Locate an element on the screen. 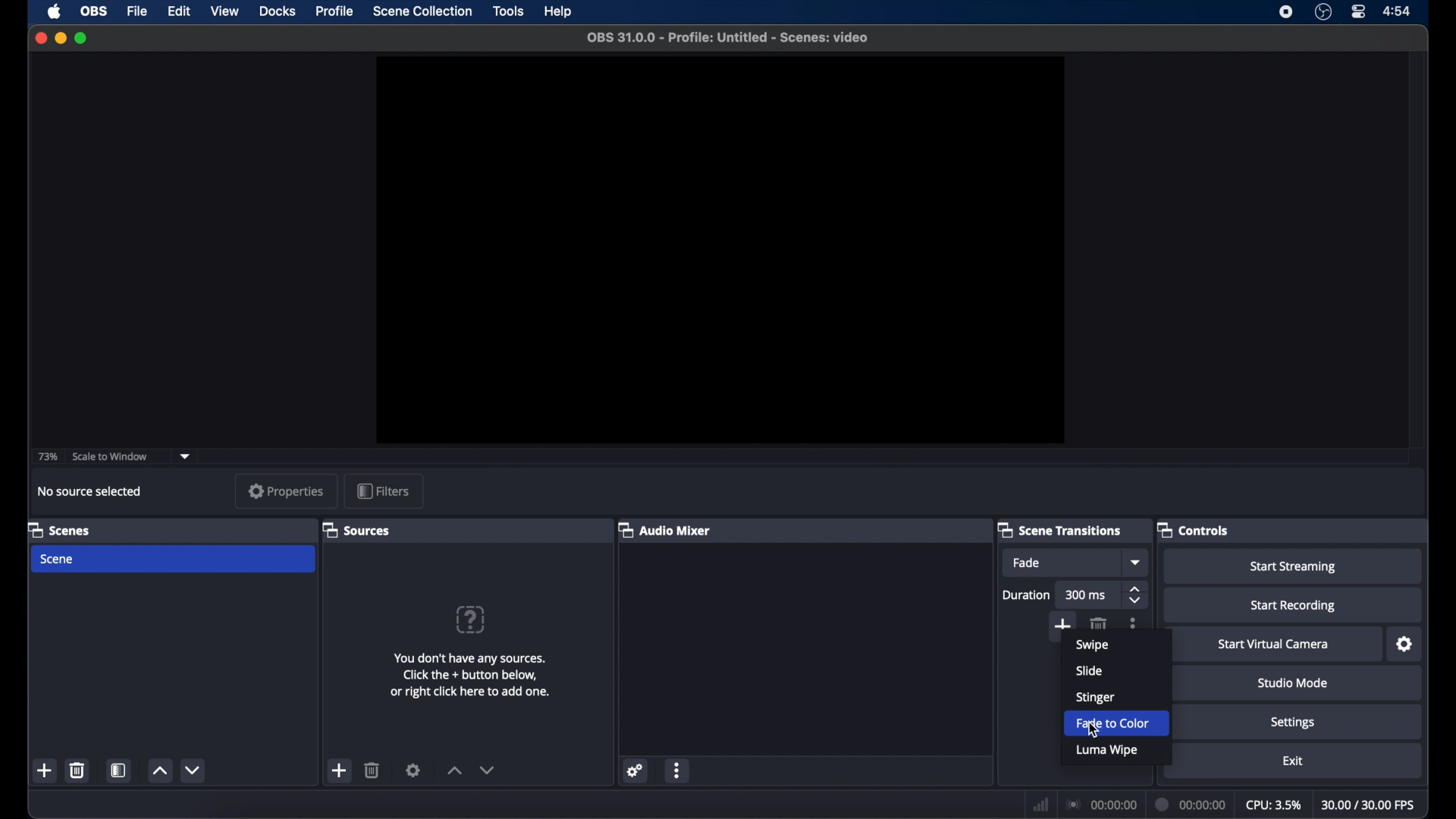 This screenshot has width=1456, height=819. add is located at coordinates (44, 770).